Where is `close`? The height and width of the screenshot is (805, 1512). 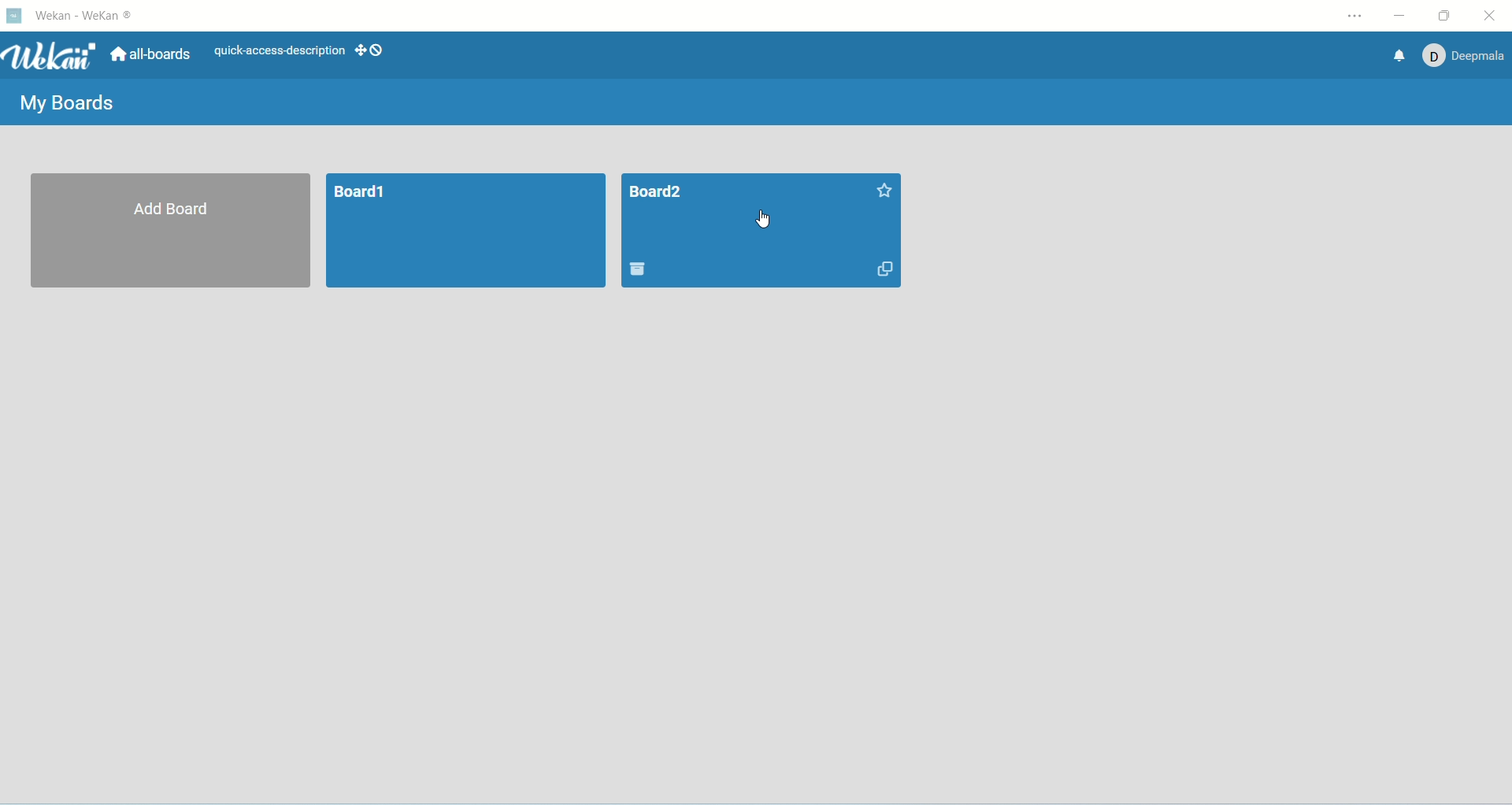
close is located at coordinates (1490, 13).